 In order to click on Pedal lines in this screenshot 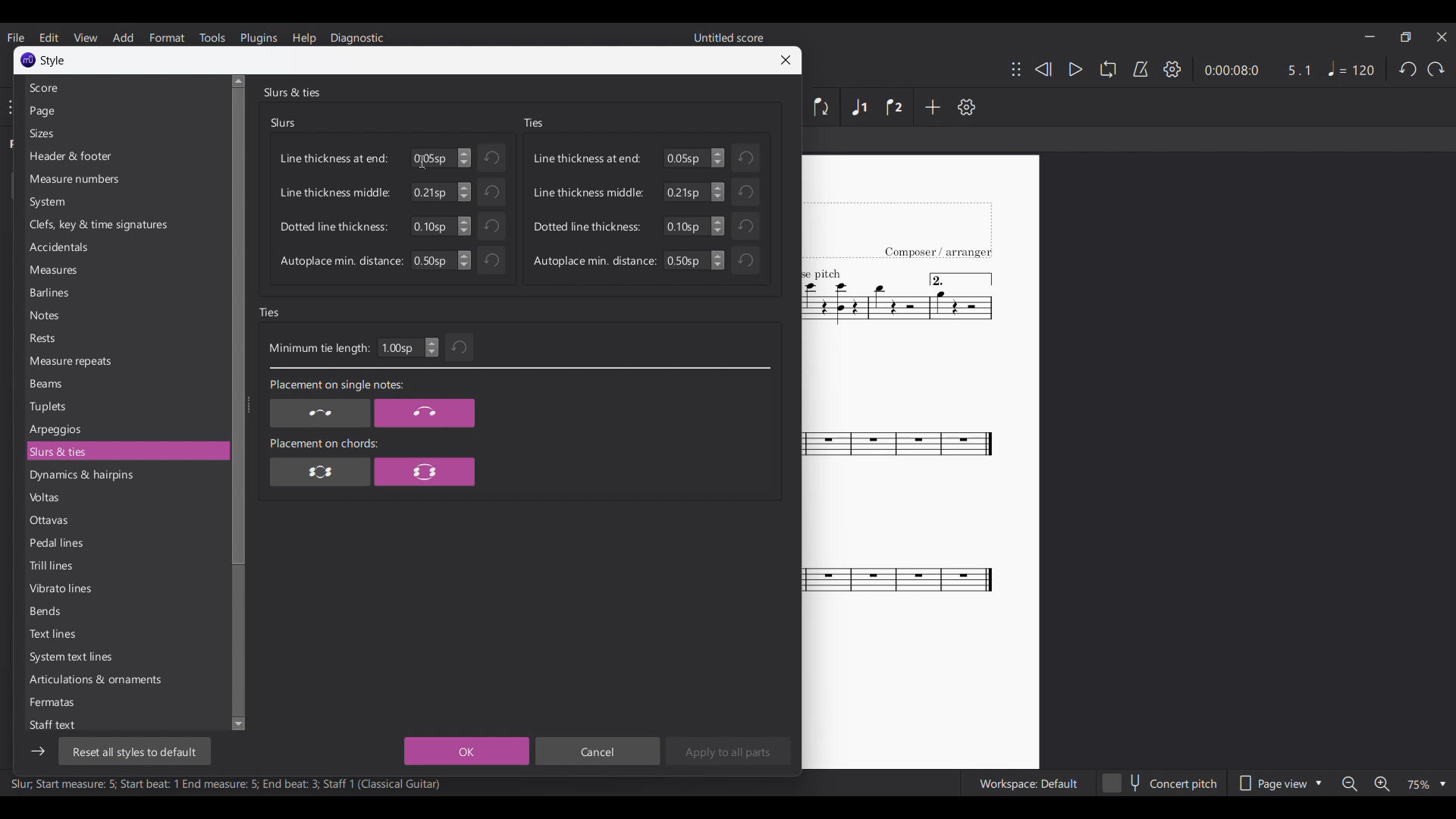, I will do `click(124, 542)`.